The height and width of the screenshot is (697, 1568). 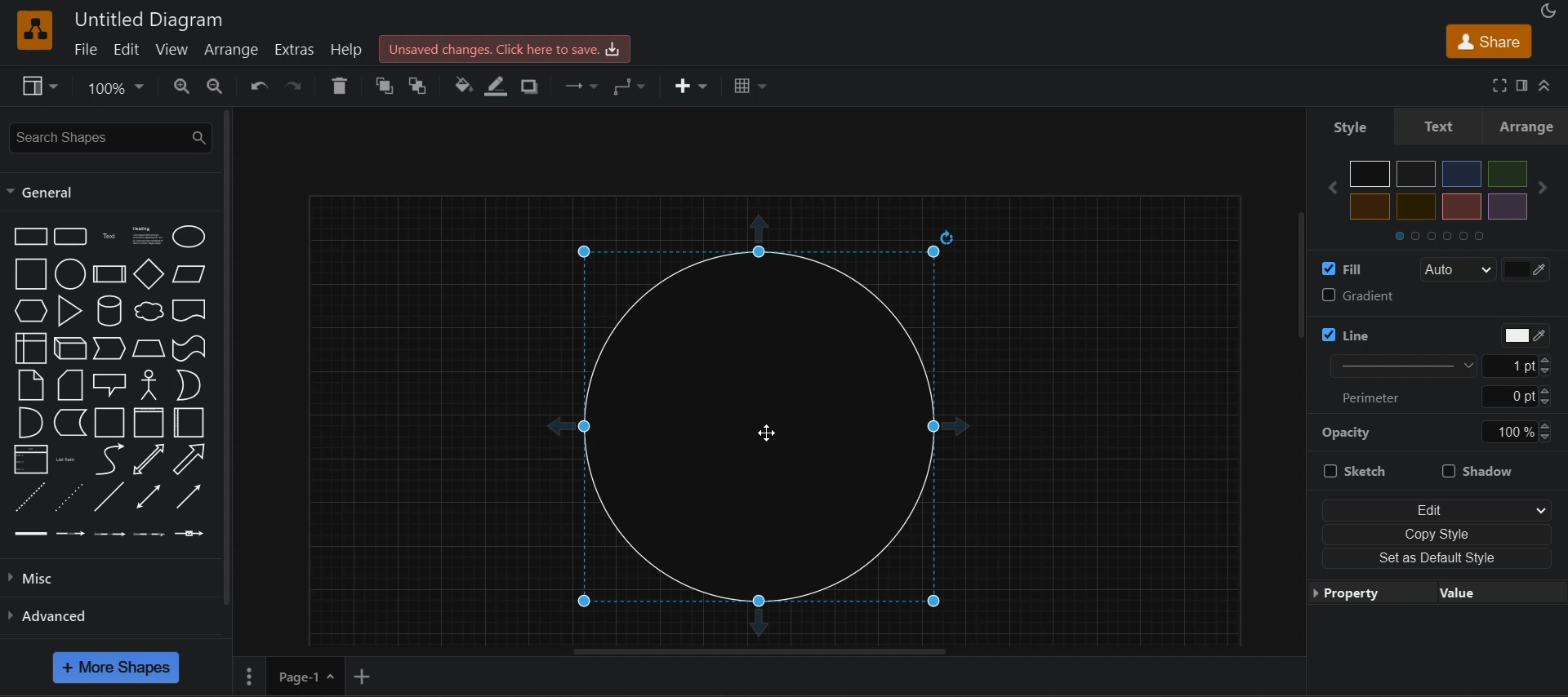 What do you see at coordinates (375, 676) in the screenshot?
I see `add new page` at bounding box center [375, 676].